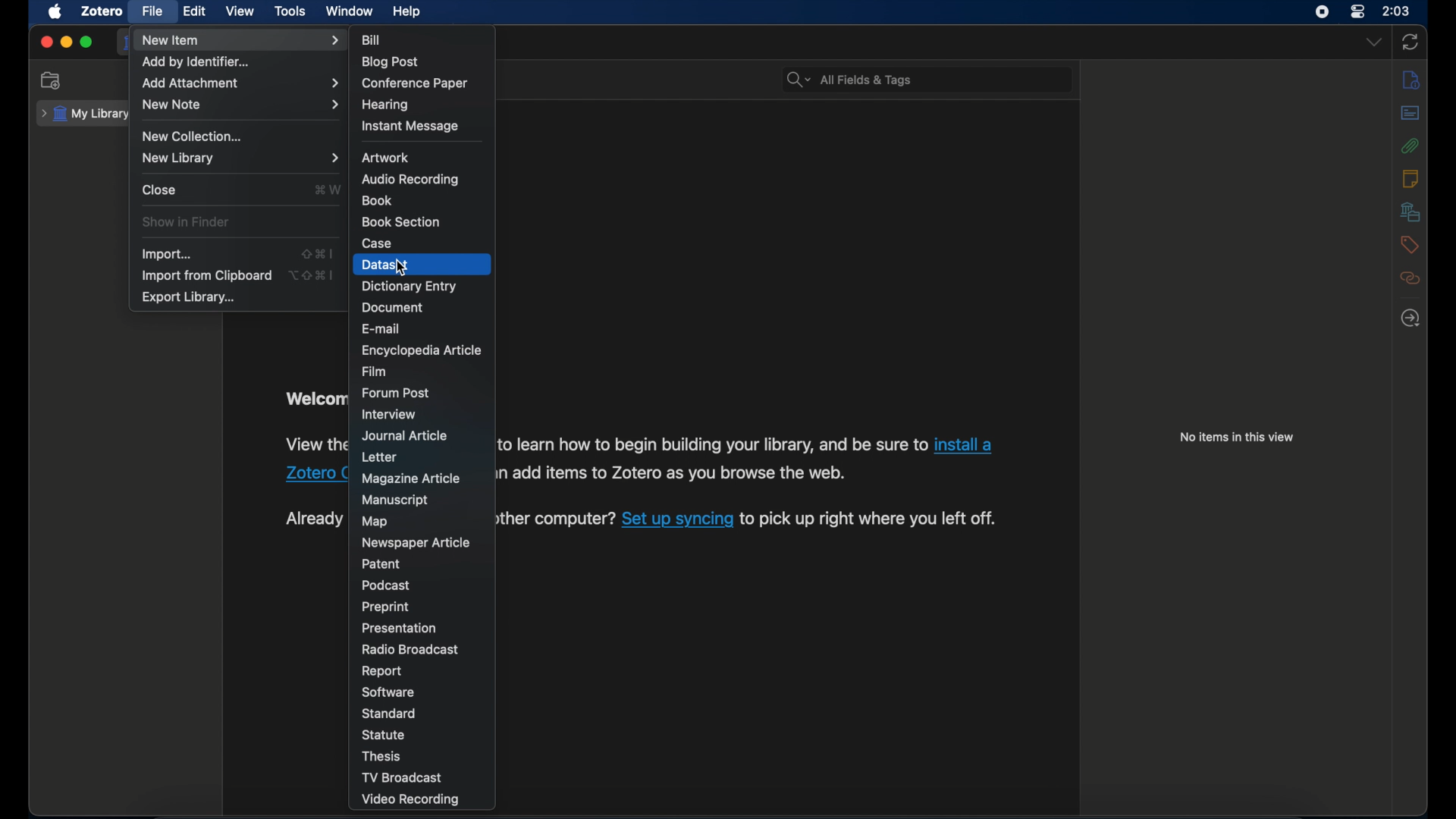 The image size is (1456, 819). What do you see at coordinates (87, 42) in the screenshot?
I see `maximize` at bounding box center [87, 42].